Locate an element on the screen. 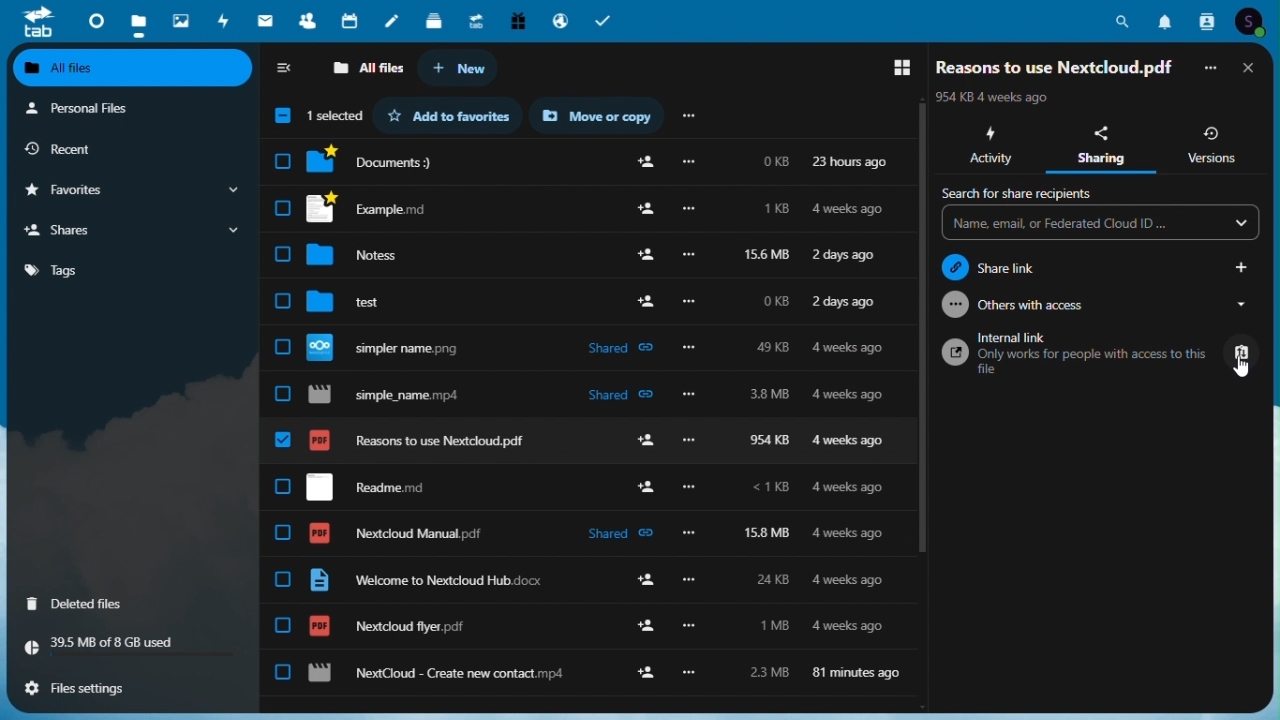 This screenshot has width=1280, height=720. 4 weeks ago is located at coordinates (852, 535).